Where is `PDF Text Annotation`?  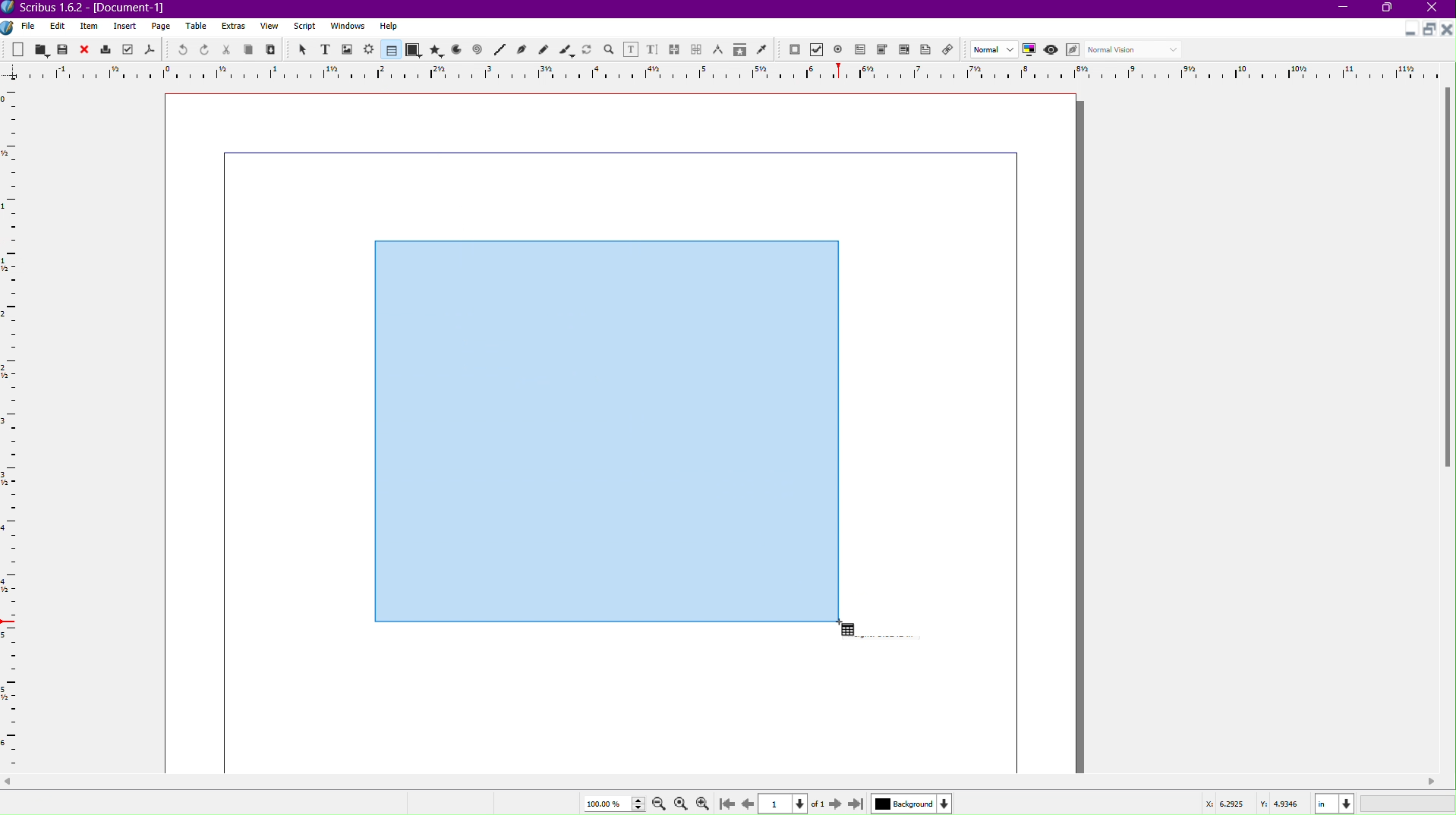
PDF Text Annotation is located at coordinates (928, 52).